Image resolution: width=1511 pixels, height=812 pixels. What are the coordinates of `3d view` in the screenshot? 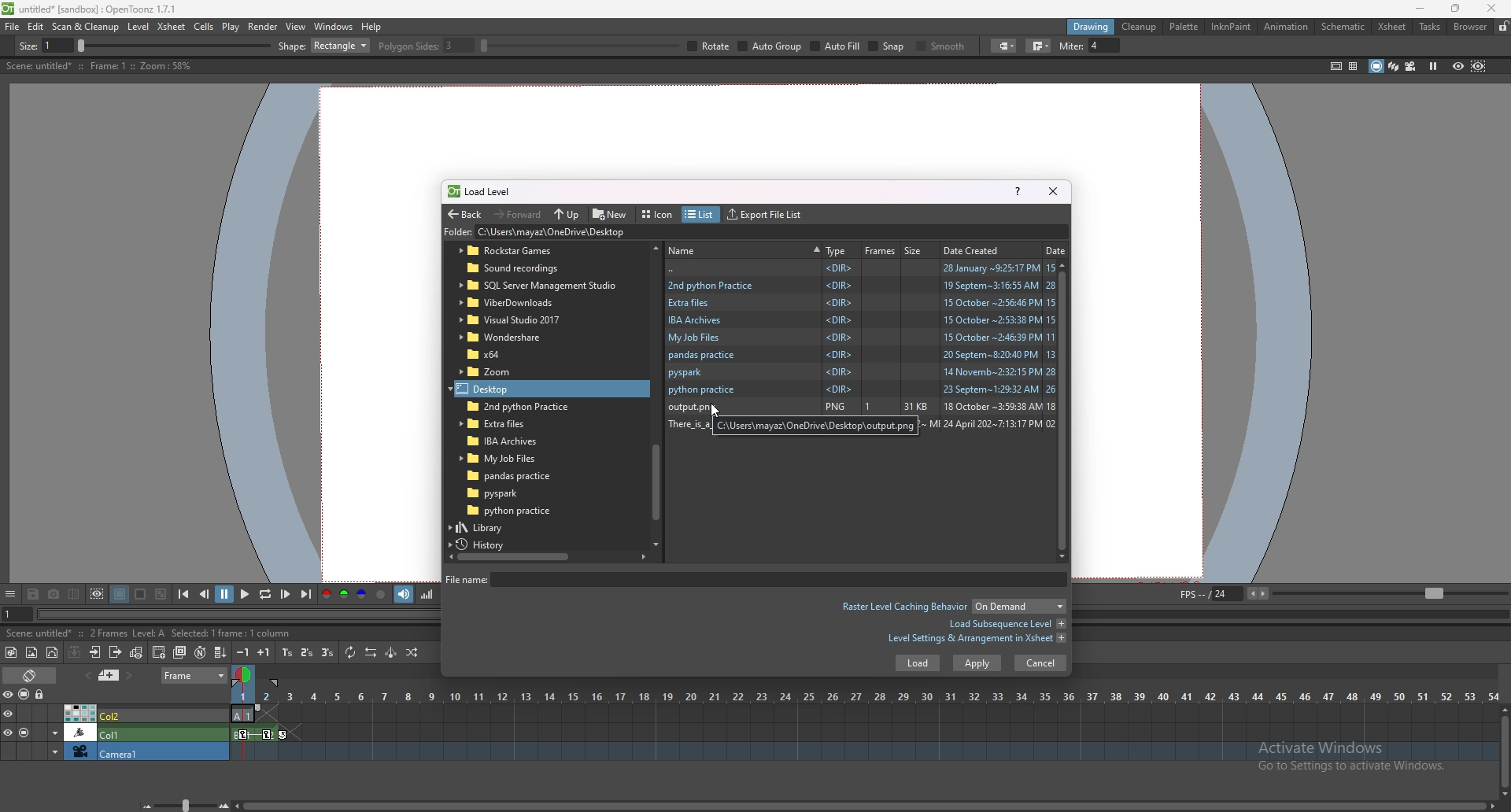 It's located at (1395, 65).